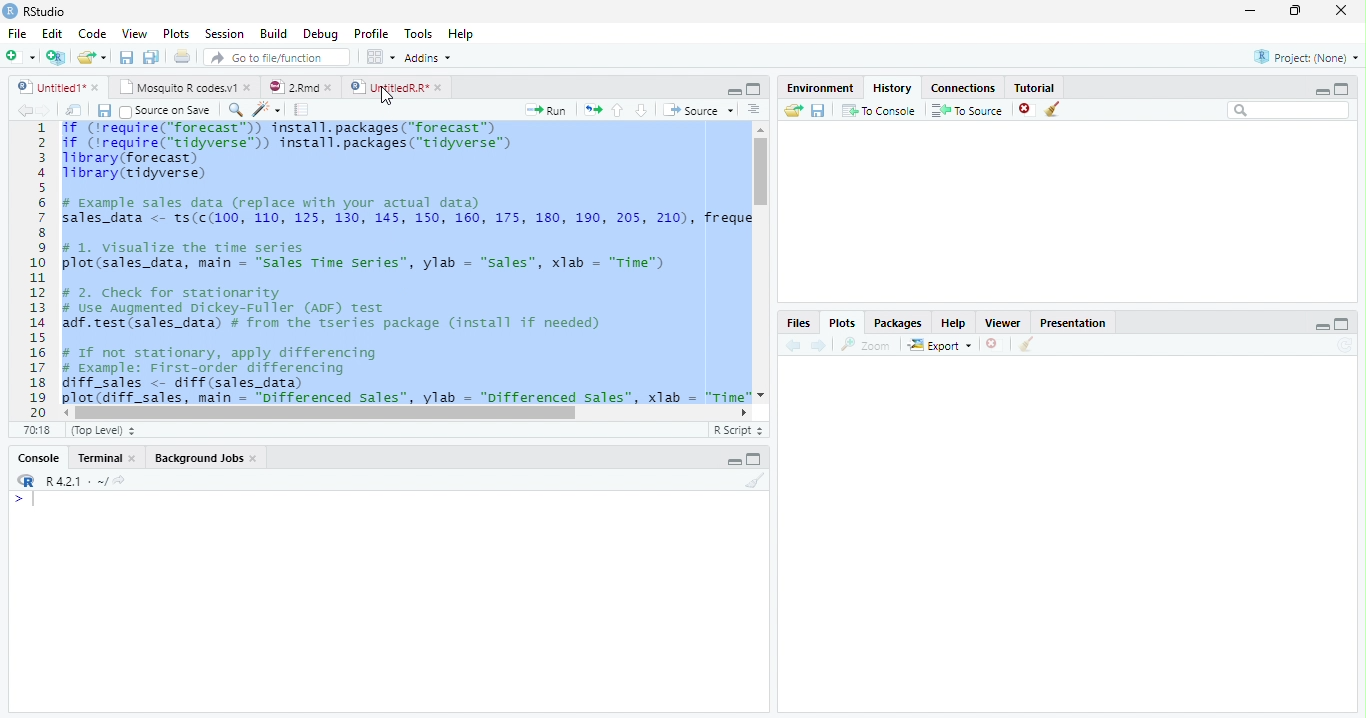 The width and height of the screenshot is (1366, 718). What do you see at coordinates (893, 88) in the screenshot?
I see `History` at bounding box center [893, 88].